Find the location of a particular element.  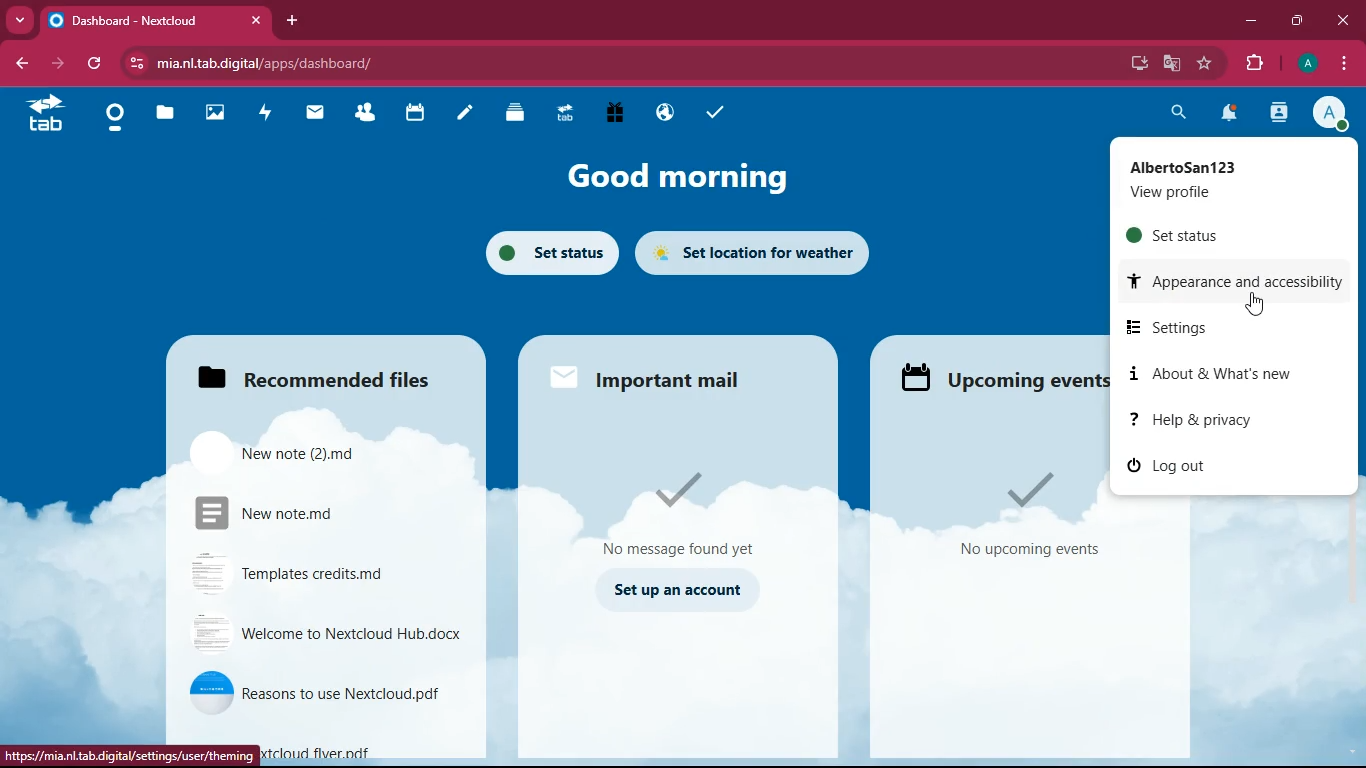

menu is located at coordinates (1338, 63).